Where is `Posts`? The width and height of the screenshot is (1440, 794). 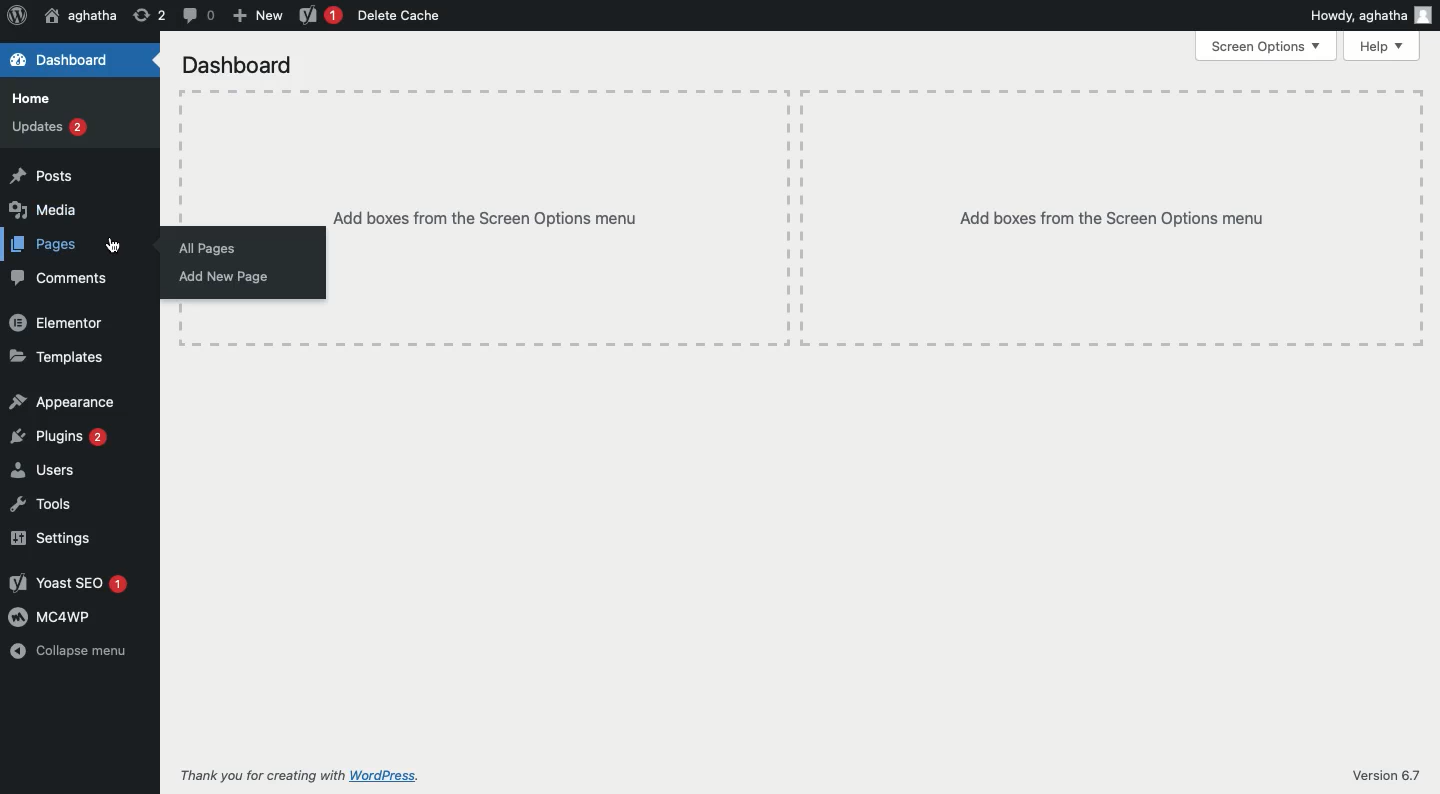
Posts is located at coordinates (74, 176).